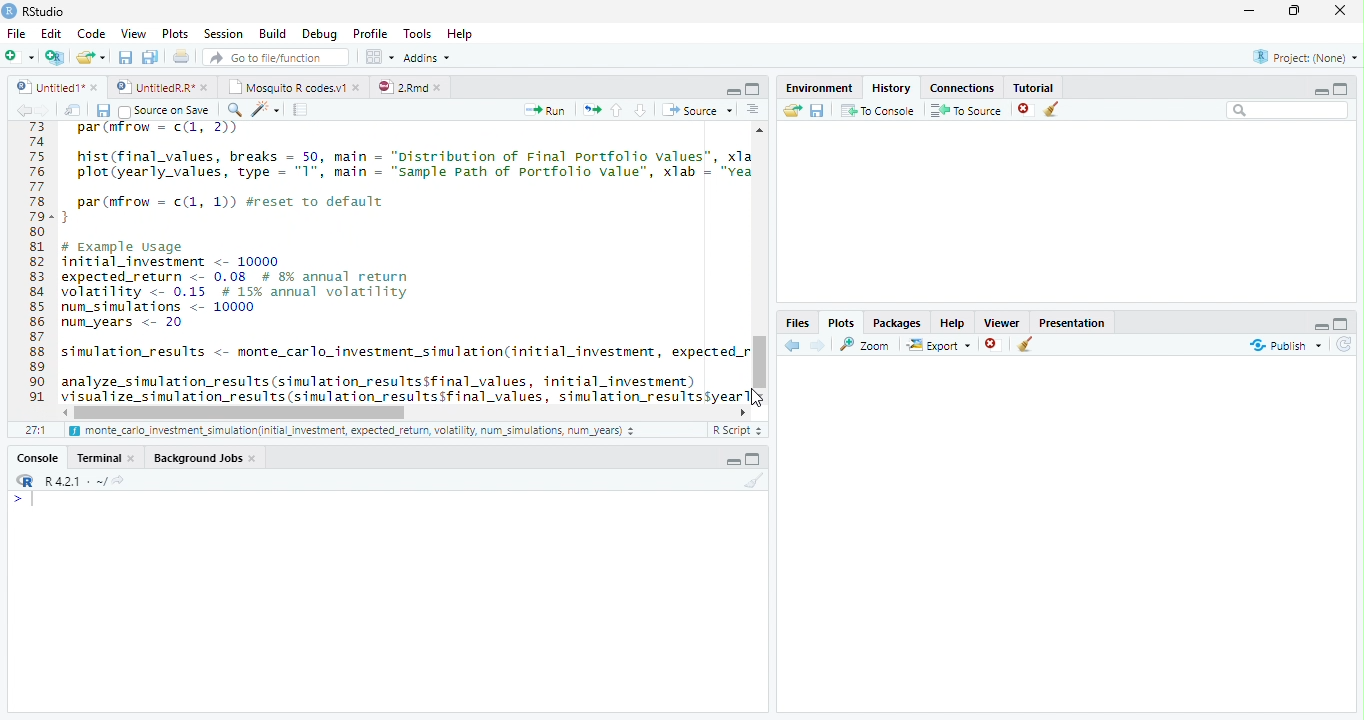 The width and height of the screenshot is (1364, 720). I want to click on Plots, so click(841, 322).